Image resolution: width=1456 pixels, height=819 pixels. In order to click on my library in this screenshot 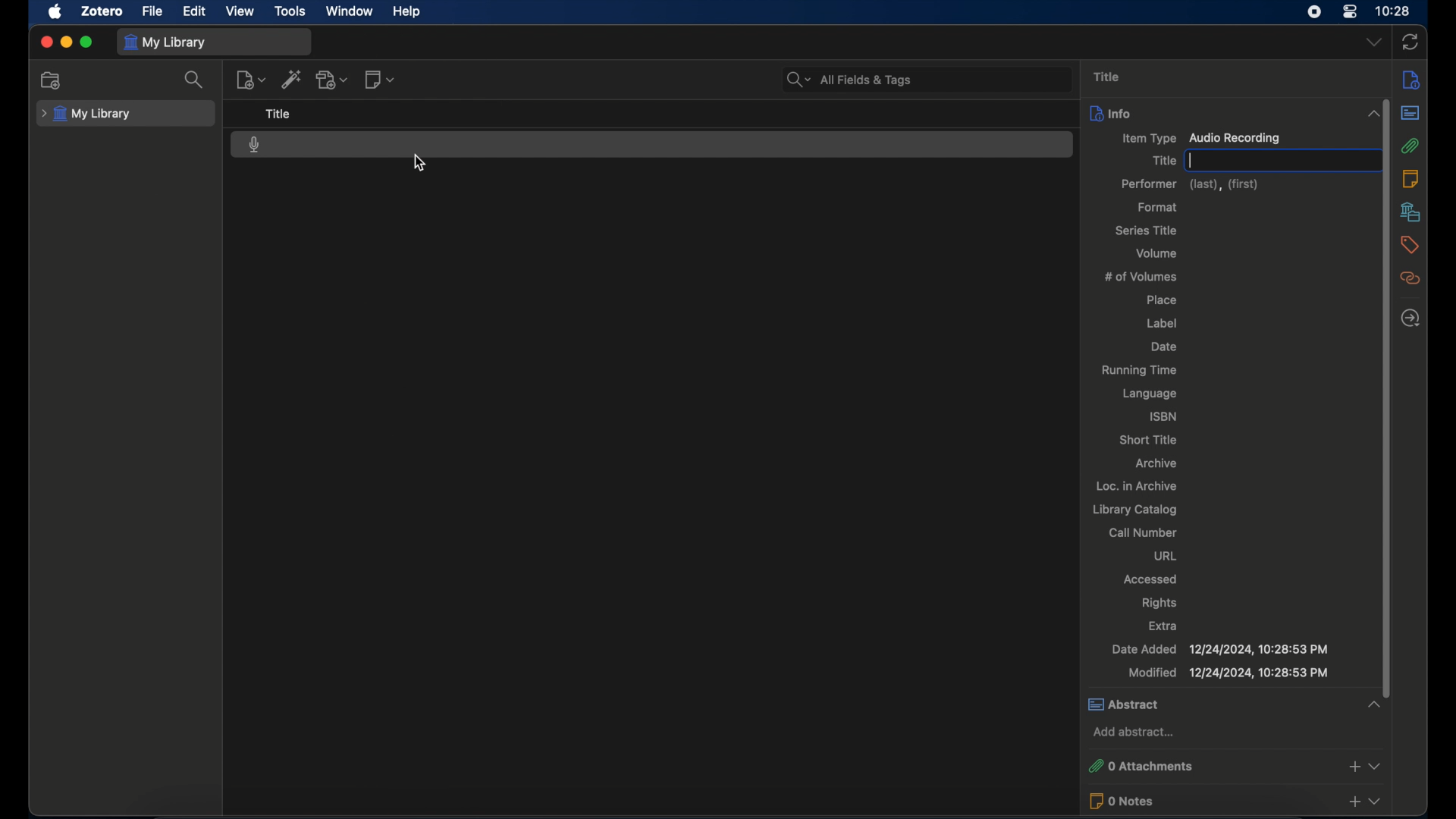, I will do `click(165, 43)`.